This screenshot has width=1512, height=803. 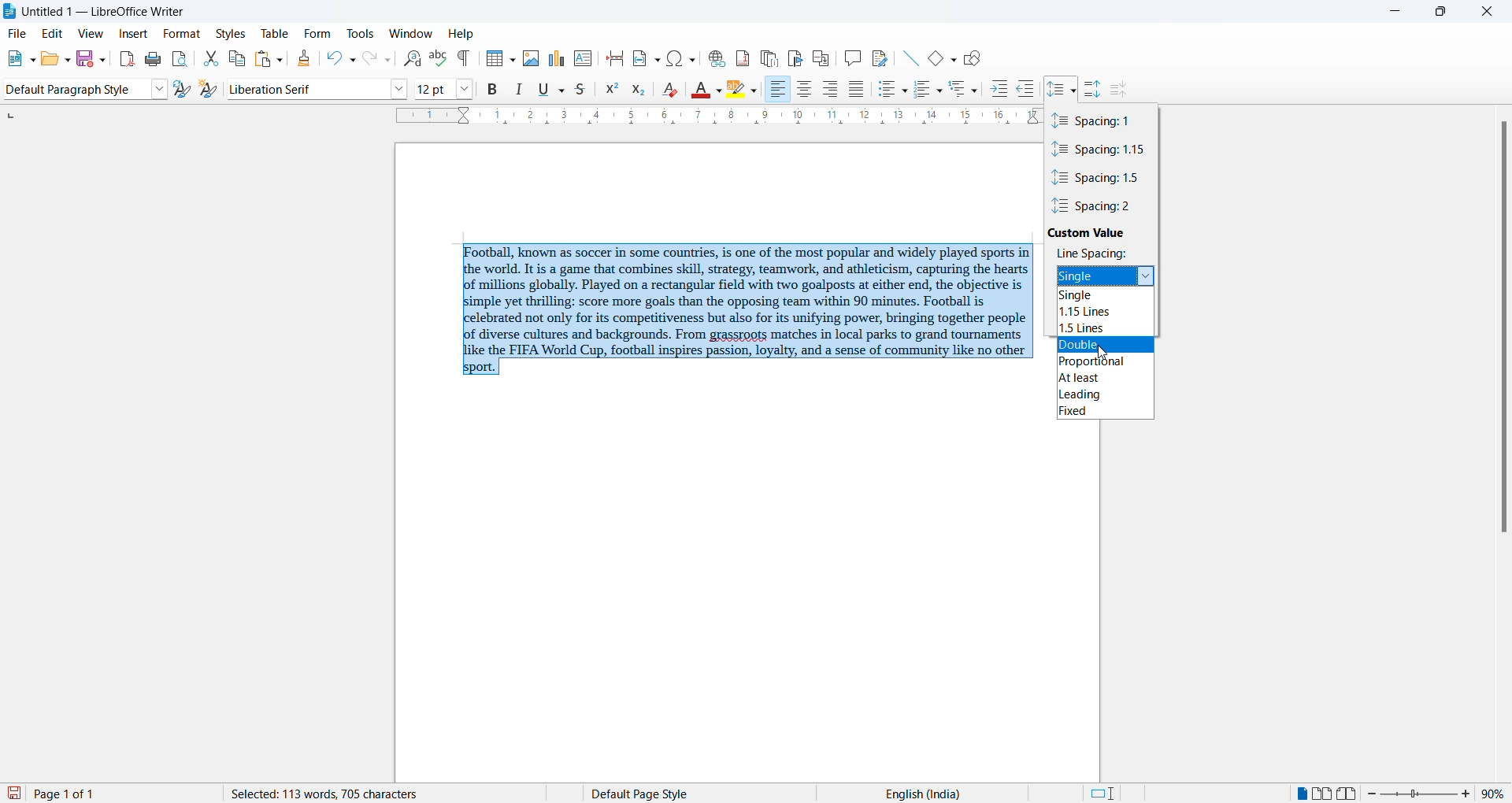 I want to click on basic shapes, so click(x=932, y=60).